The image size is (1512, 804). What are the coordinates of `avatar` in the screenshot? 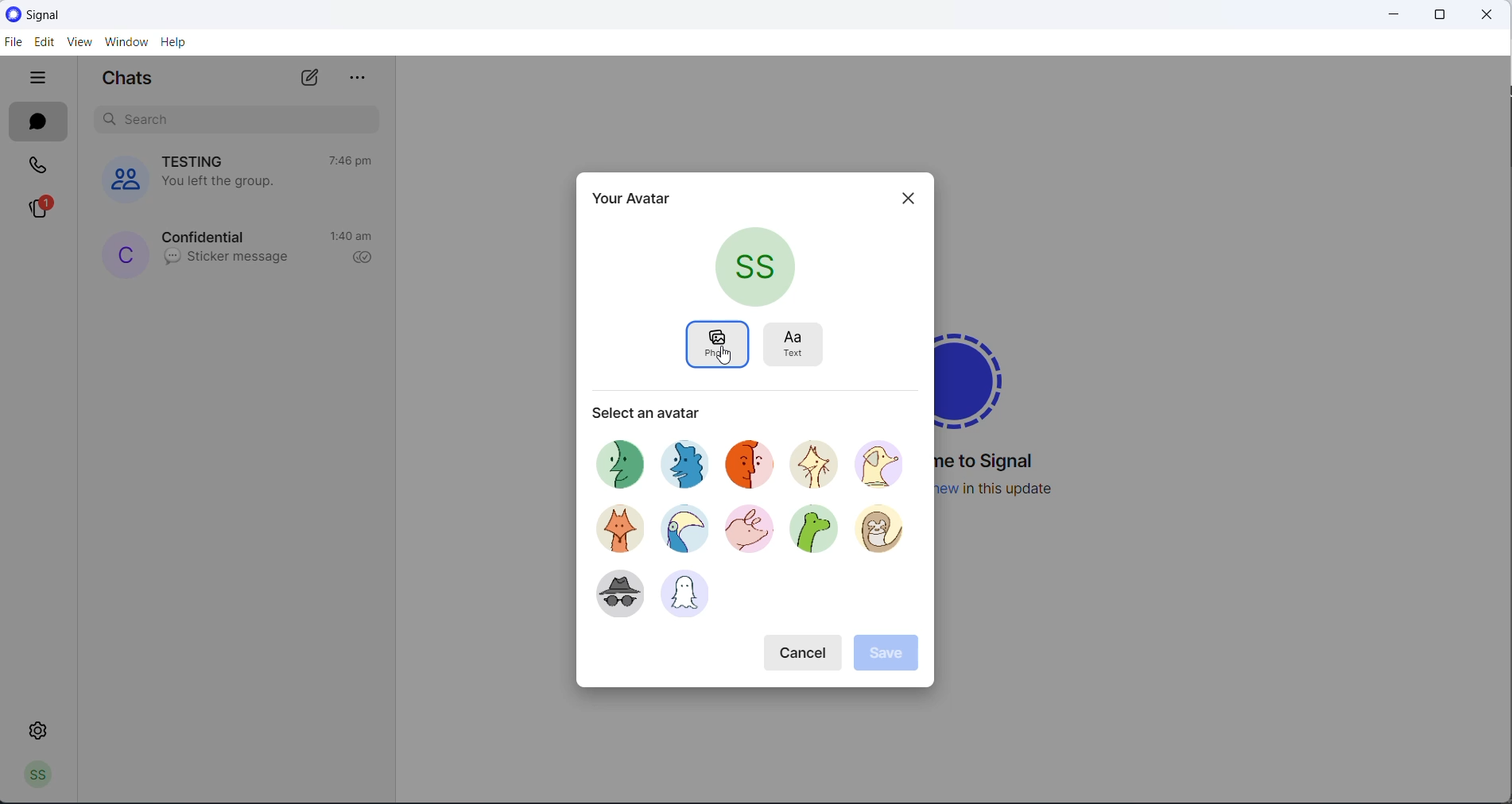 It's located at (886, 464).